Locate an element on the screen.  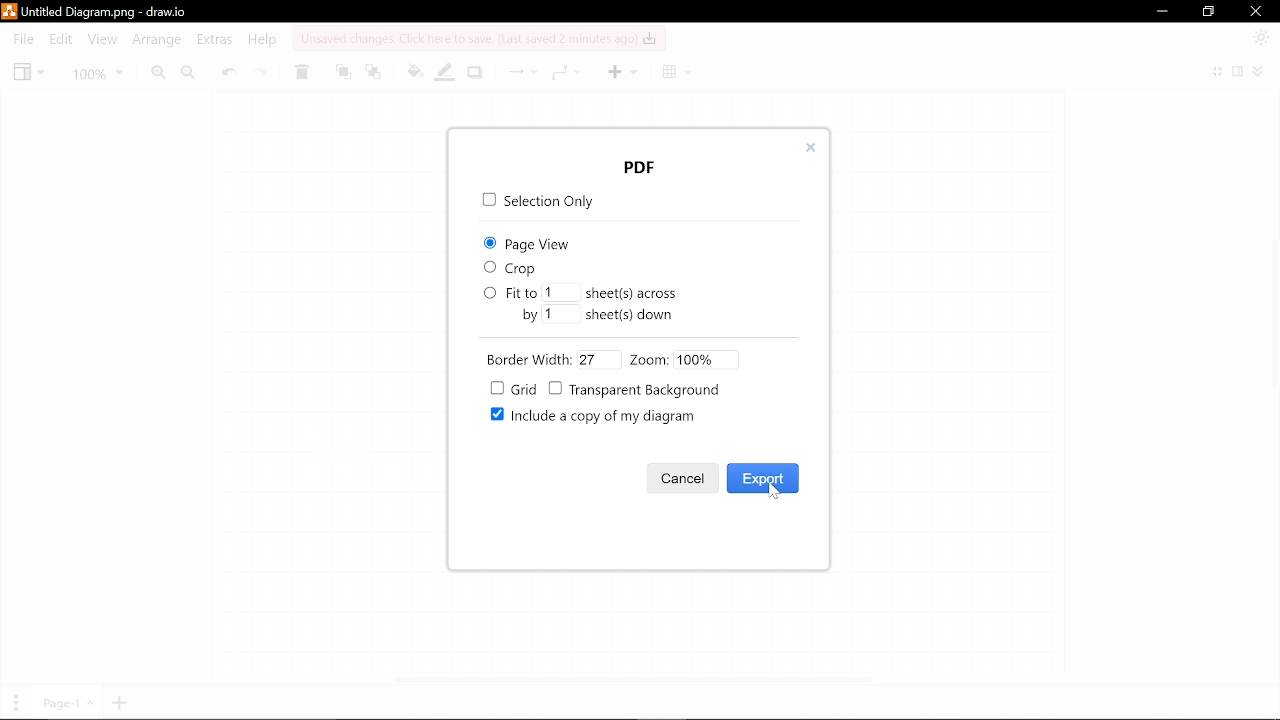
Cancel is located at coordinates (684, 478).